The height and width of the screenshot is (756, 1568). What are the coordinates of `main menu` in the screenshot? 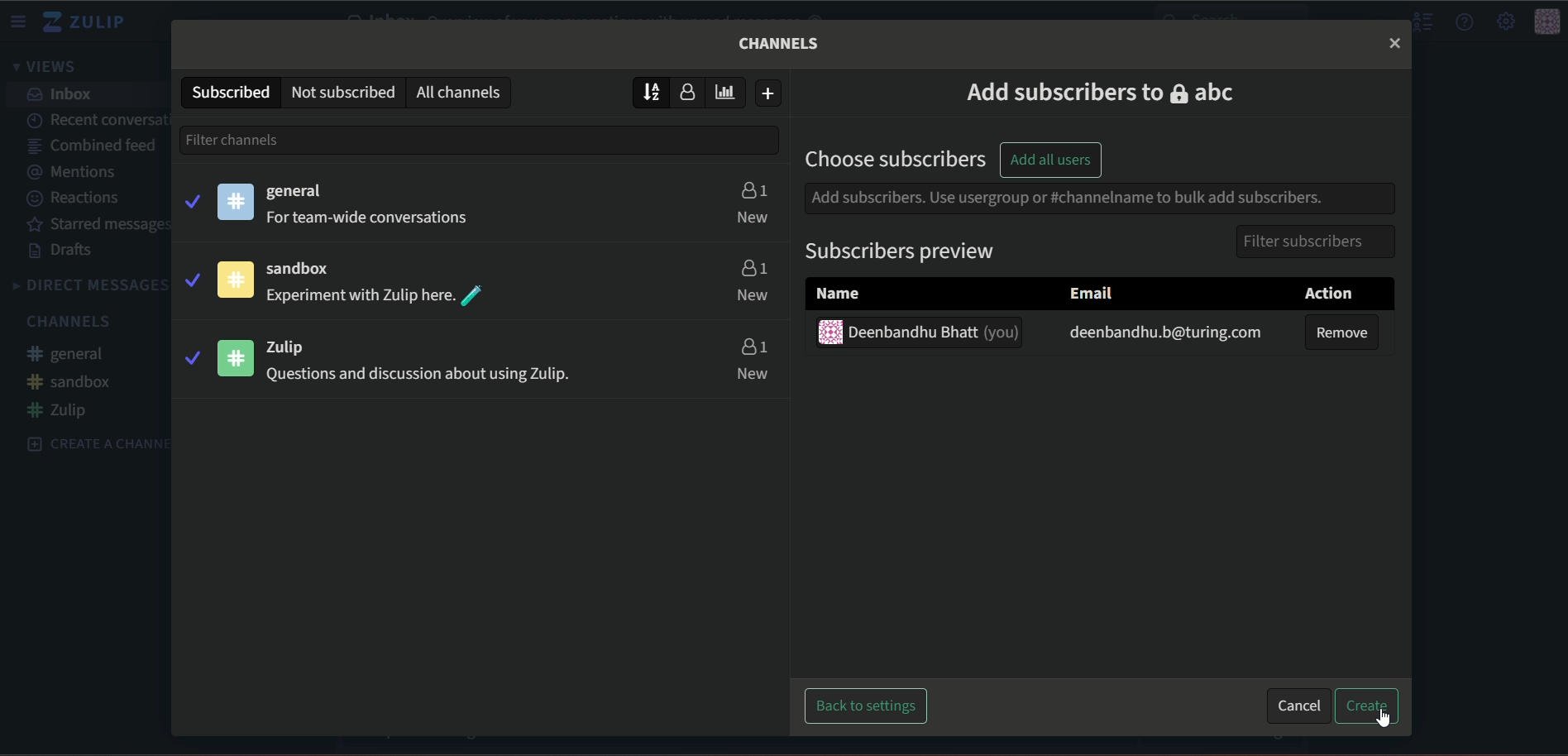 It's located at (1504, 21).